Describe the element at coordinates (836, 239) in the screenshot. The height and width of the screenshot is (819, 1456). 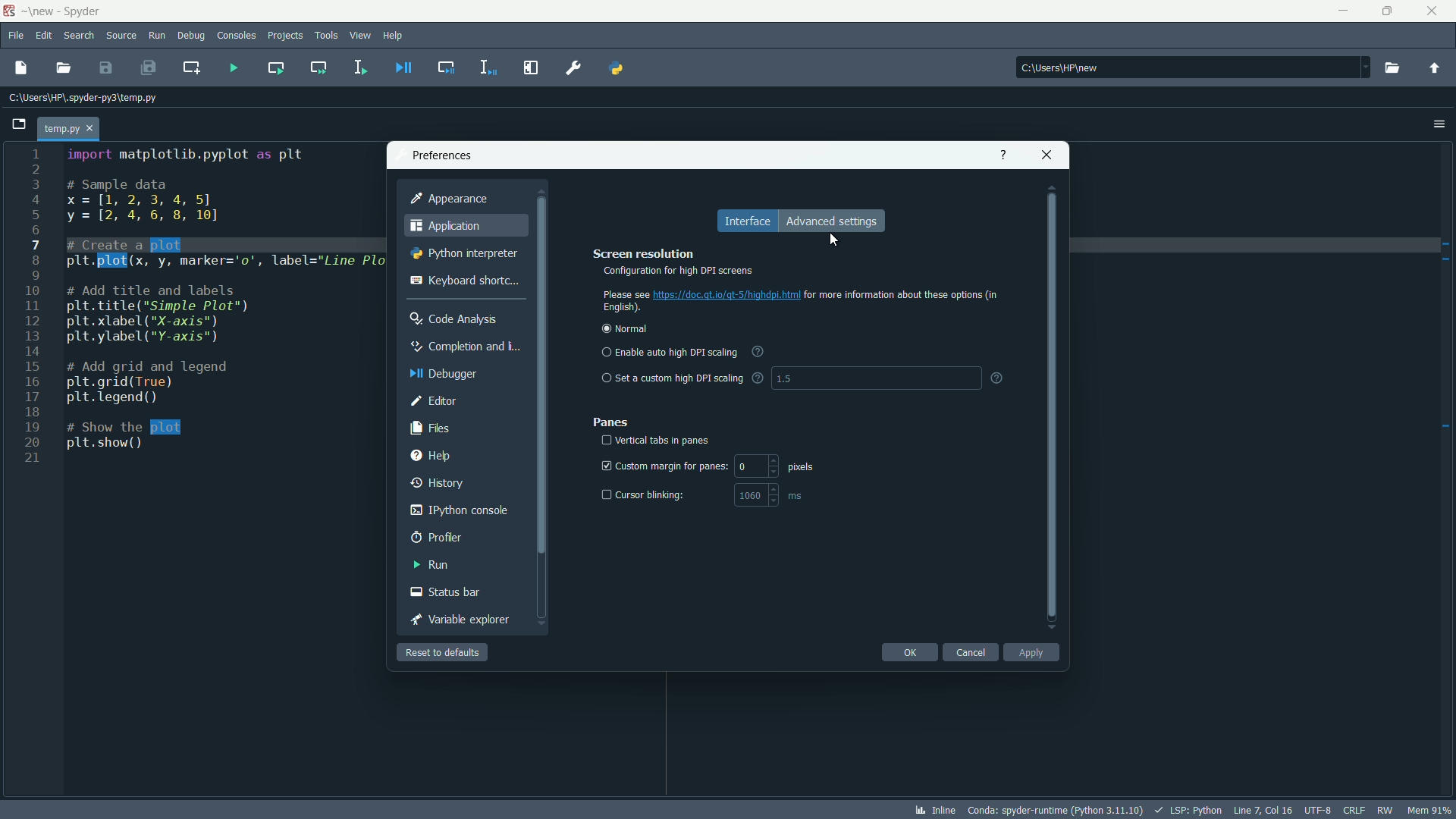
I see `cursor` at that location.